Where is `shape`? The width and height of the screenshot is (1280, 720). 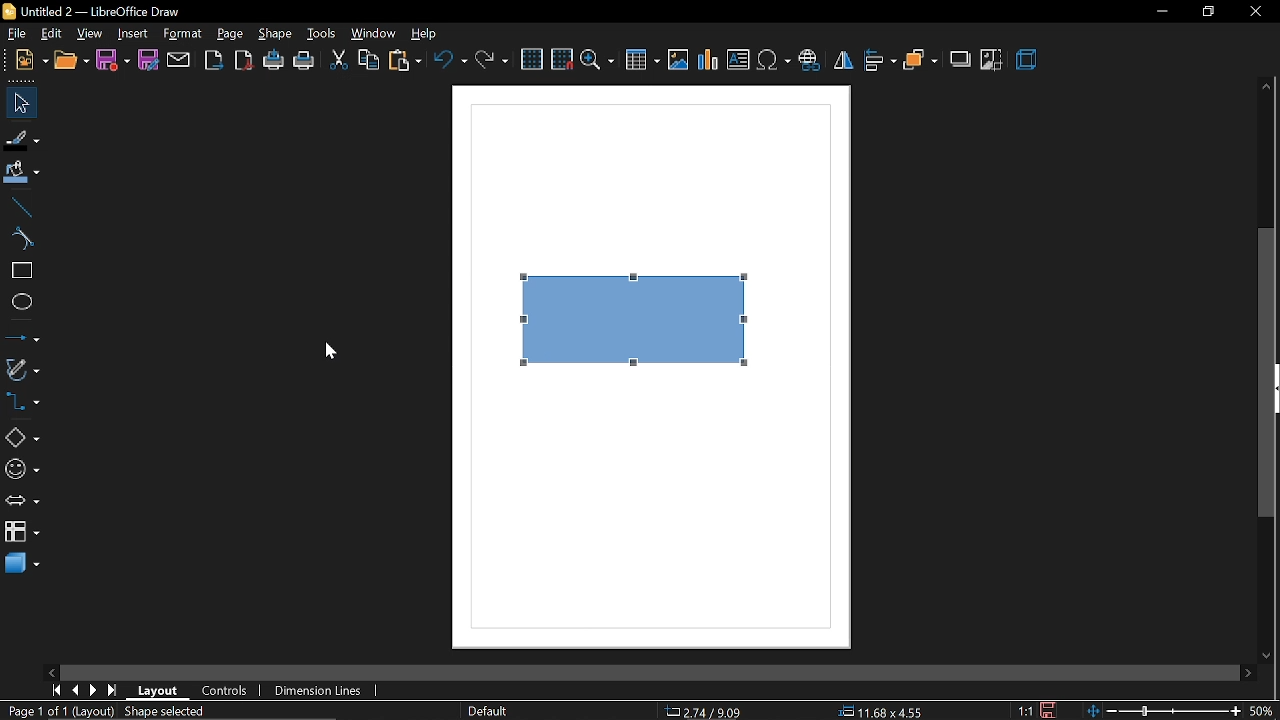
shape is located at coordinates (277, 33).